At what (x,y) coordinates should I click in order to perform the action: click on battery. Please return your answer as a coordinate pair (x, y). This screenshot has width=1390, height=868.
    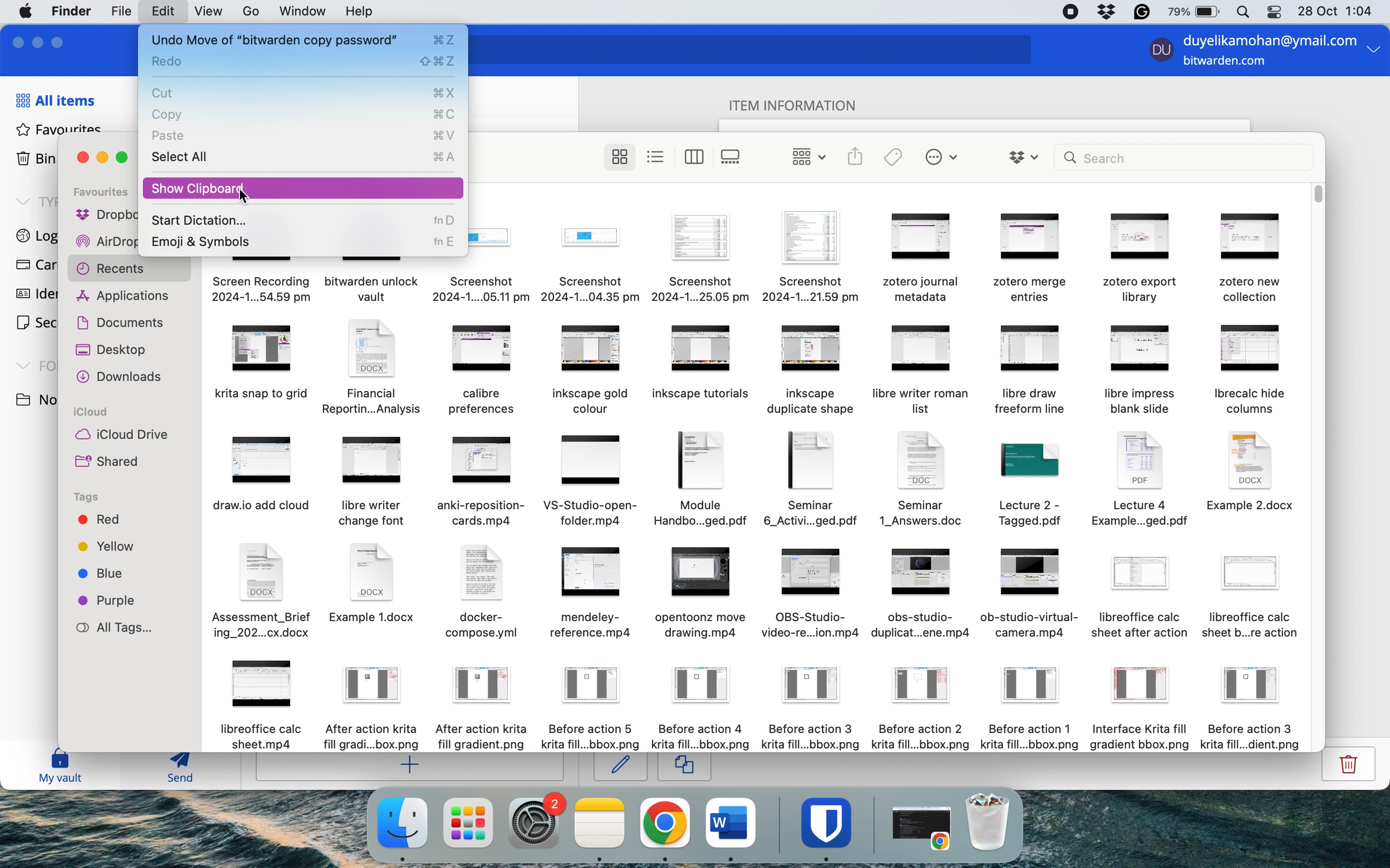
    Looking at the image, I should click on (1190, 12).